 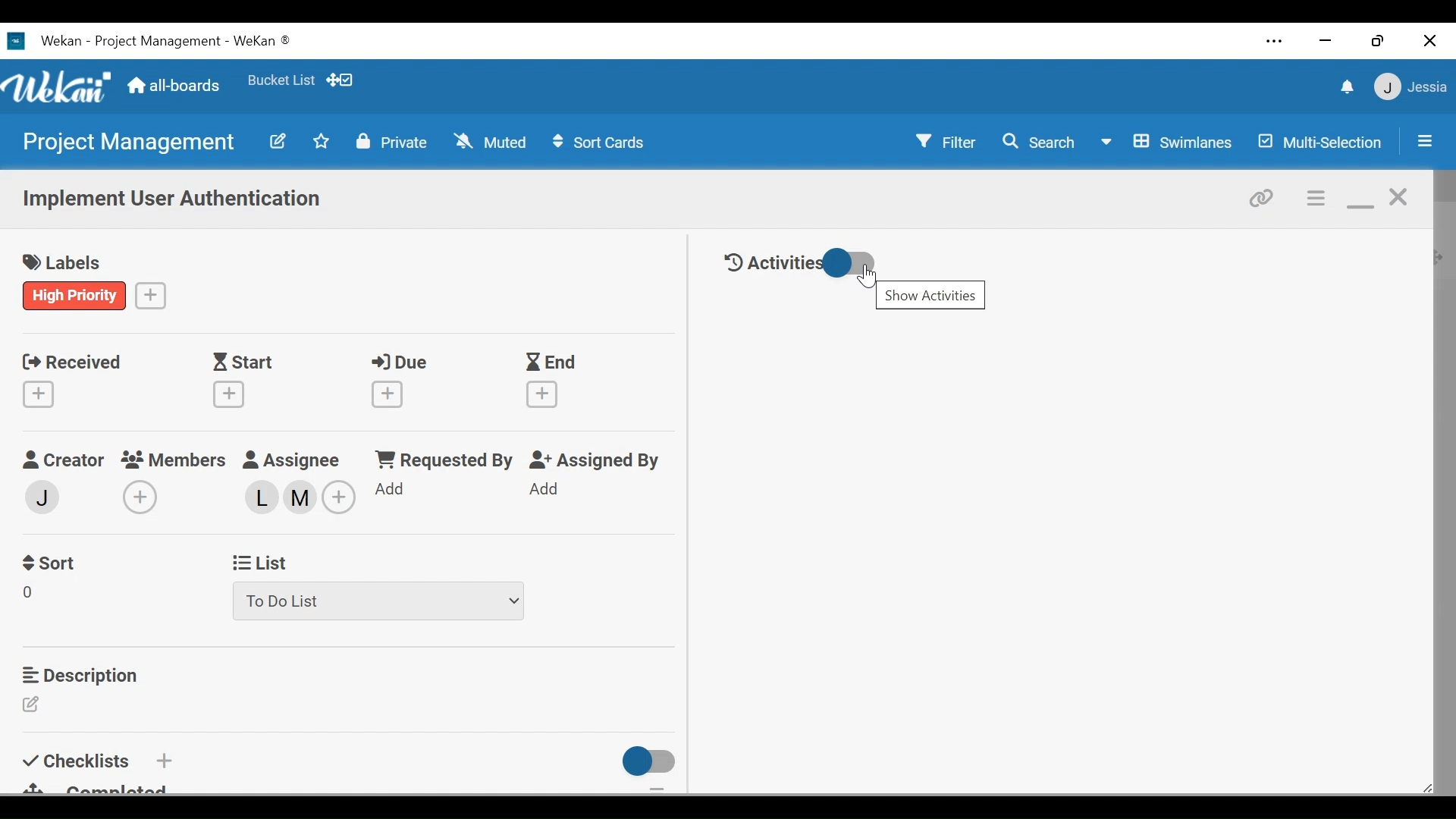 I want to click on List dropdown menu, so click(x=380, y=601).